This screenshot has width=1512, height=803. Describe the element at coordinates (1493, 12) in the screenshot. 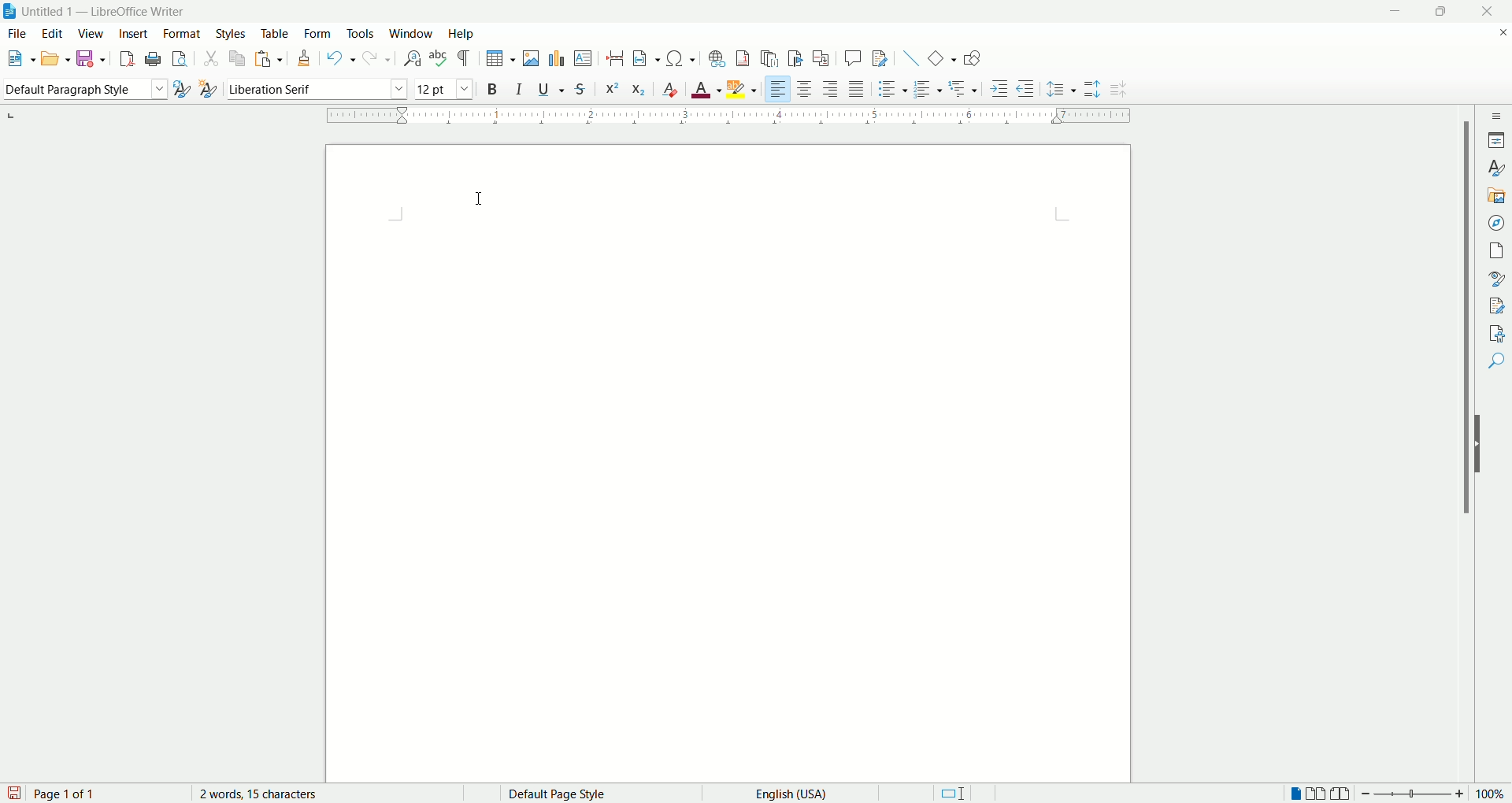

I see `close` at that location.